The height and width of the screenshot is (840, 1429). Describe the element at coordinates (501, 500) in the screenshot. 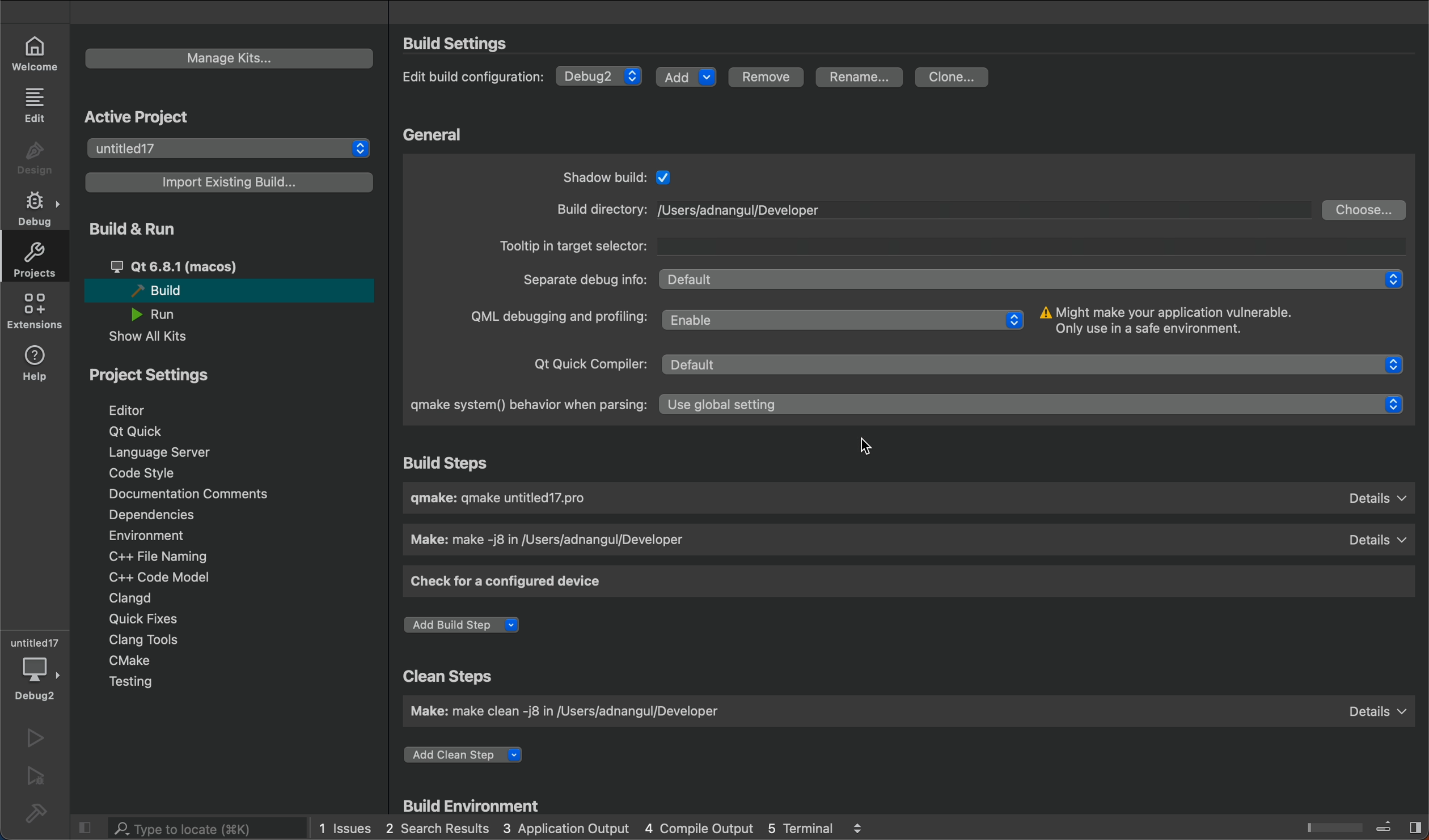

I see `build name` at that location.